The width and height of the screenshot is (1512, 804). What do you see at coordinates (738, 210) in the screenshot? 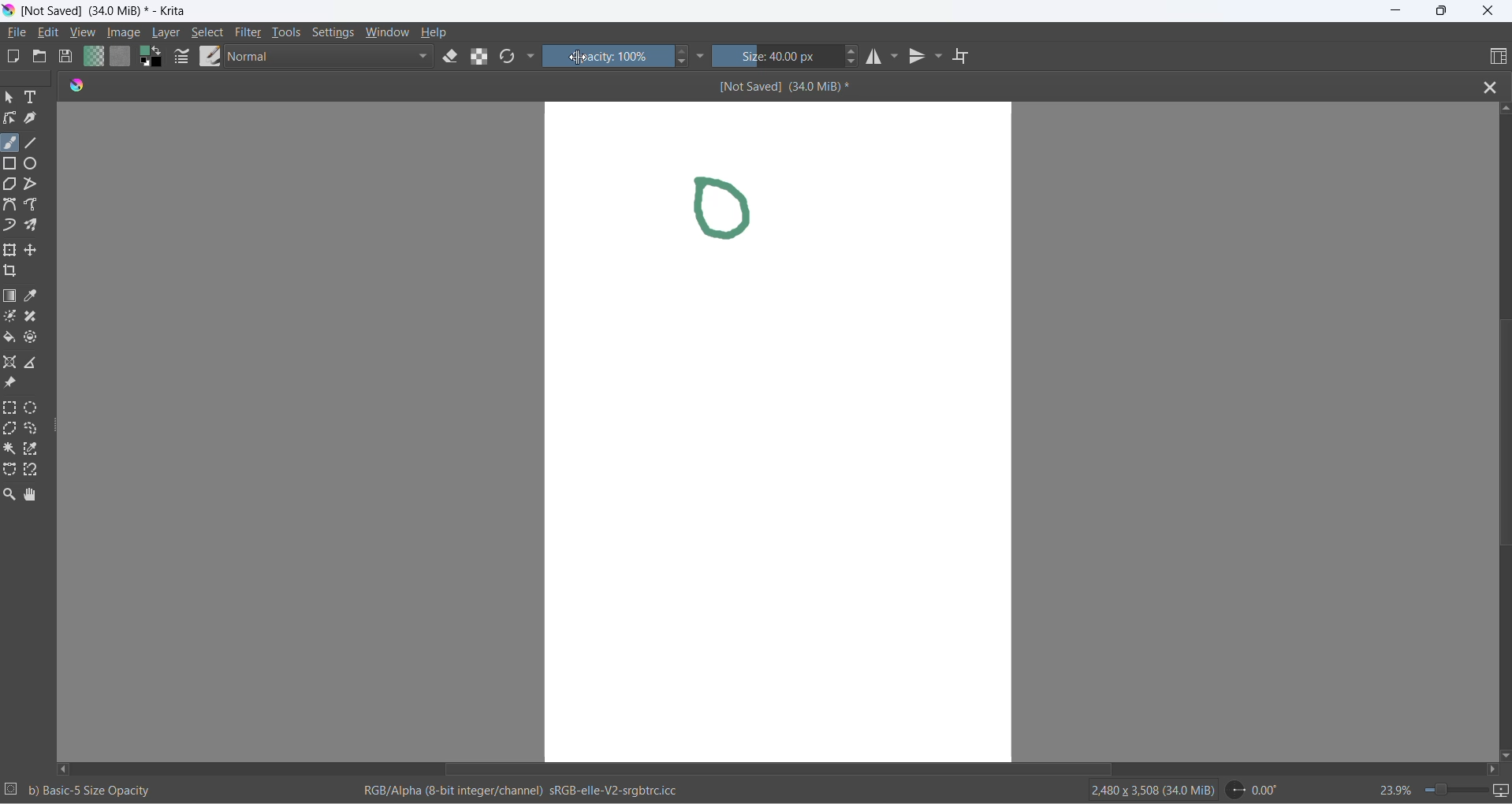
I see `drawing` at bounding box center [738, 210].